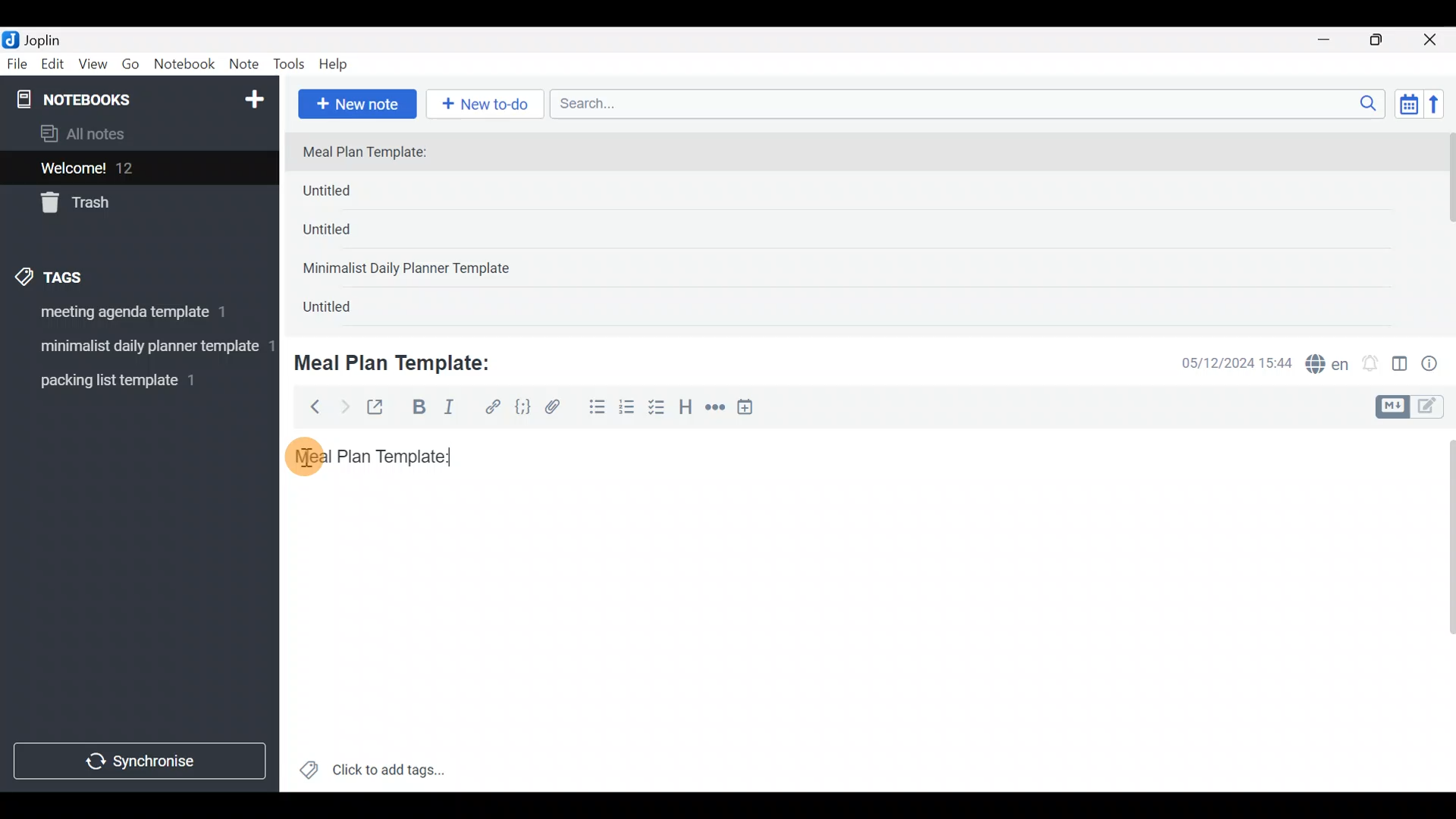 The width and height of the screenshot is (1456, 819). I want to click on Numbered list, so click(627, 410).